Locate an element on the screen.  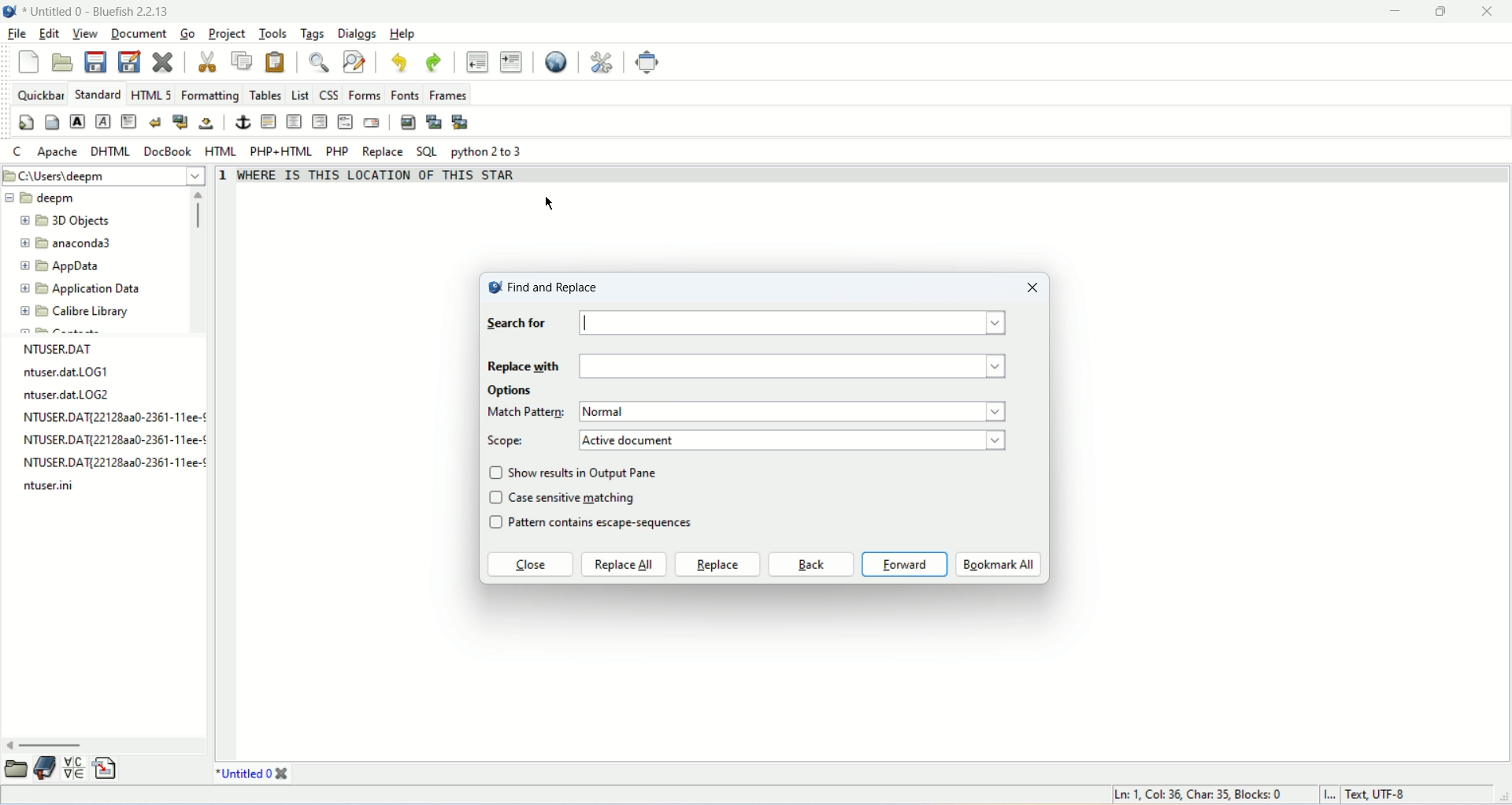
tags is located at coordinates (310, 34).